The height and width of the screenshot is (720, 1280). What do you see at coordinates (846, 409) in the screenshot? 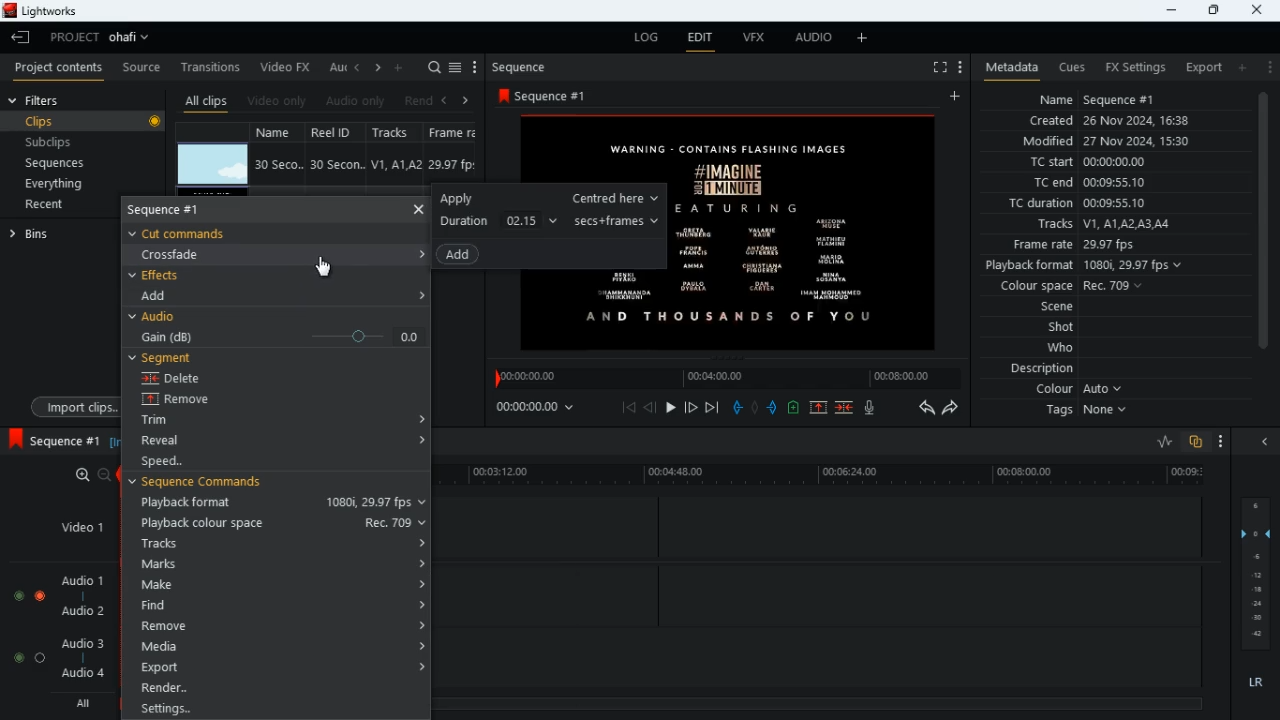
I see `merge` at bounding box center [846, 409].